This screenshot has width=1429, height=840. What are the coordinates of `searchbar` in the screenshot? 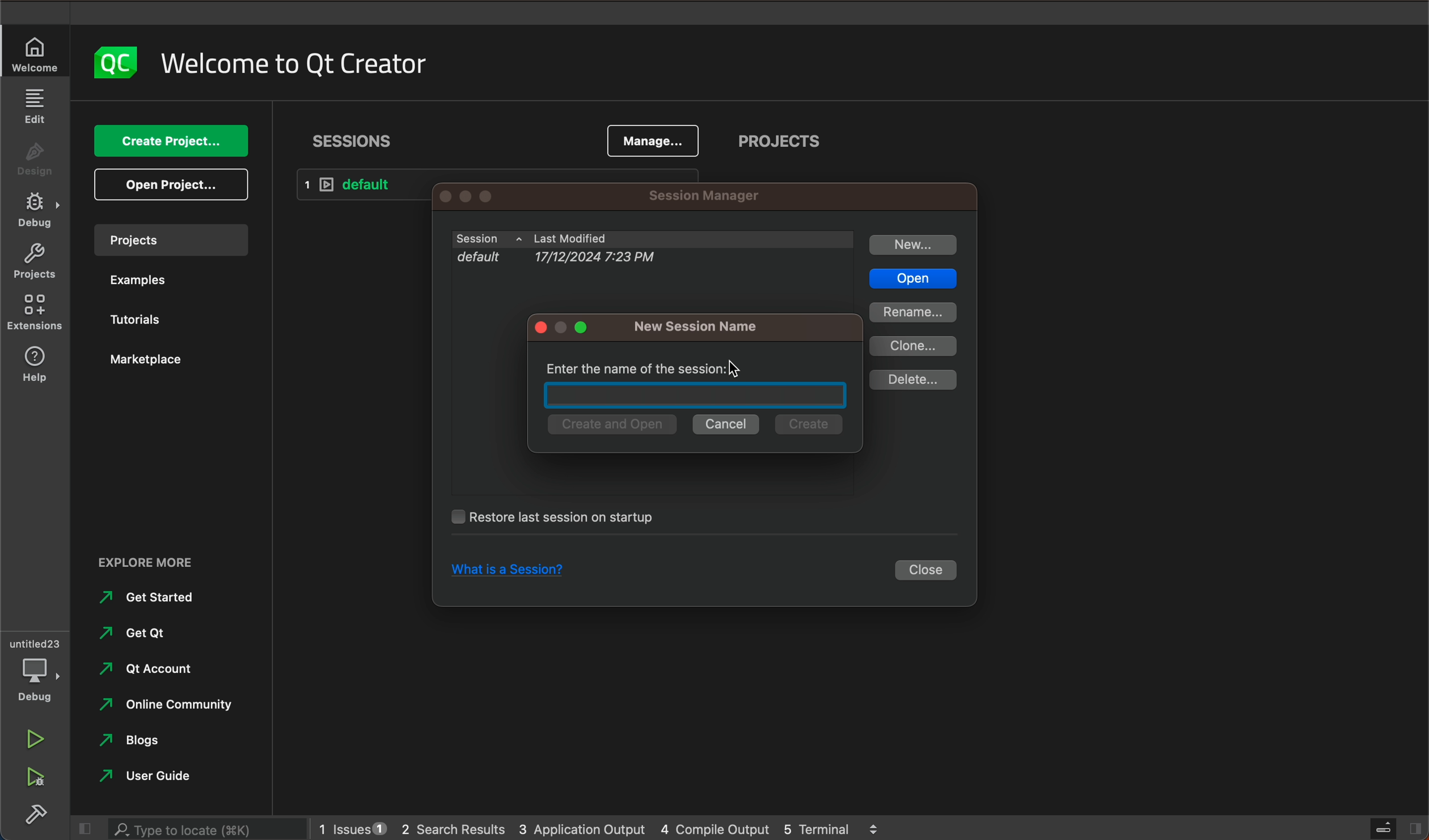 It's located at (203, 828).